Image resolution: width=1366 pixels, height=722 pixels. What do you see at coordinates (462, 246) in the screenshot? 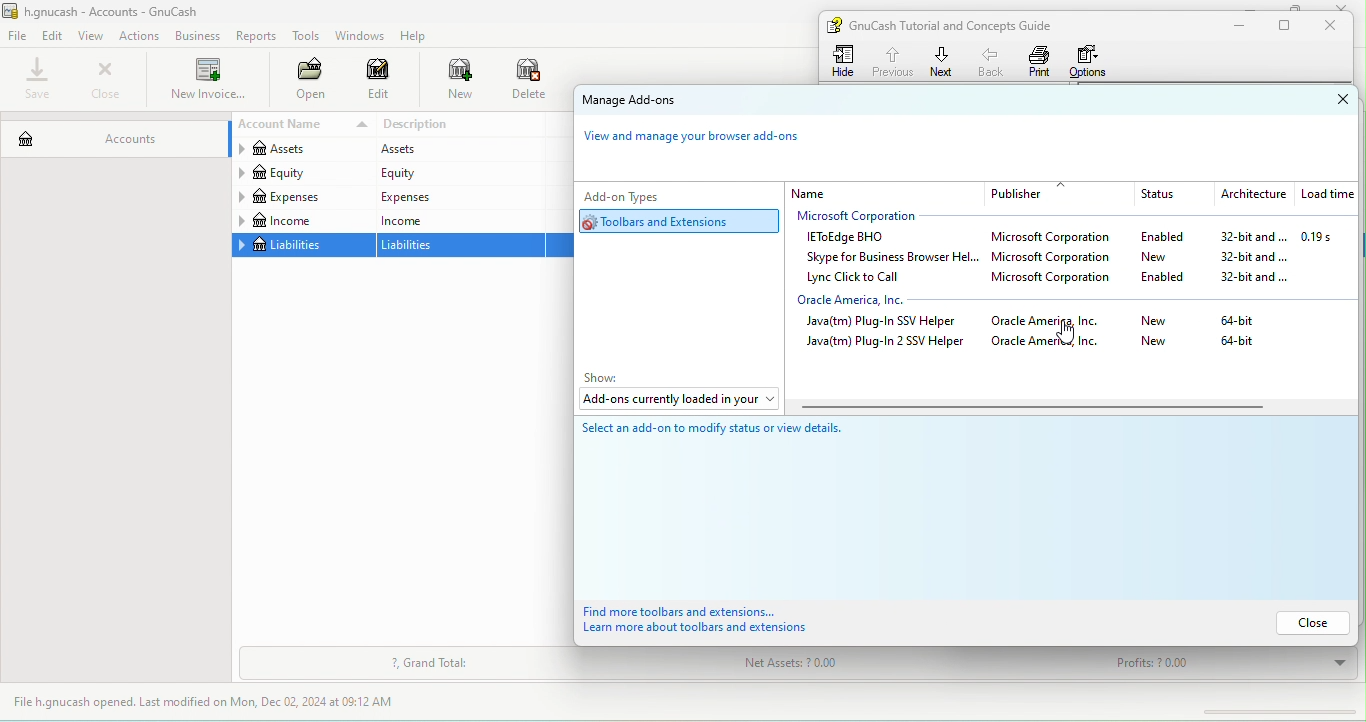
I see `liabilities` at bounding box center [462, 246].